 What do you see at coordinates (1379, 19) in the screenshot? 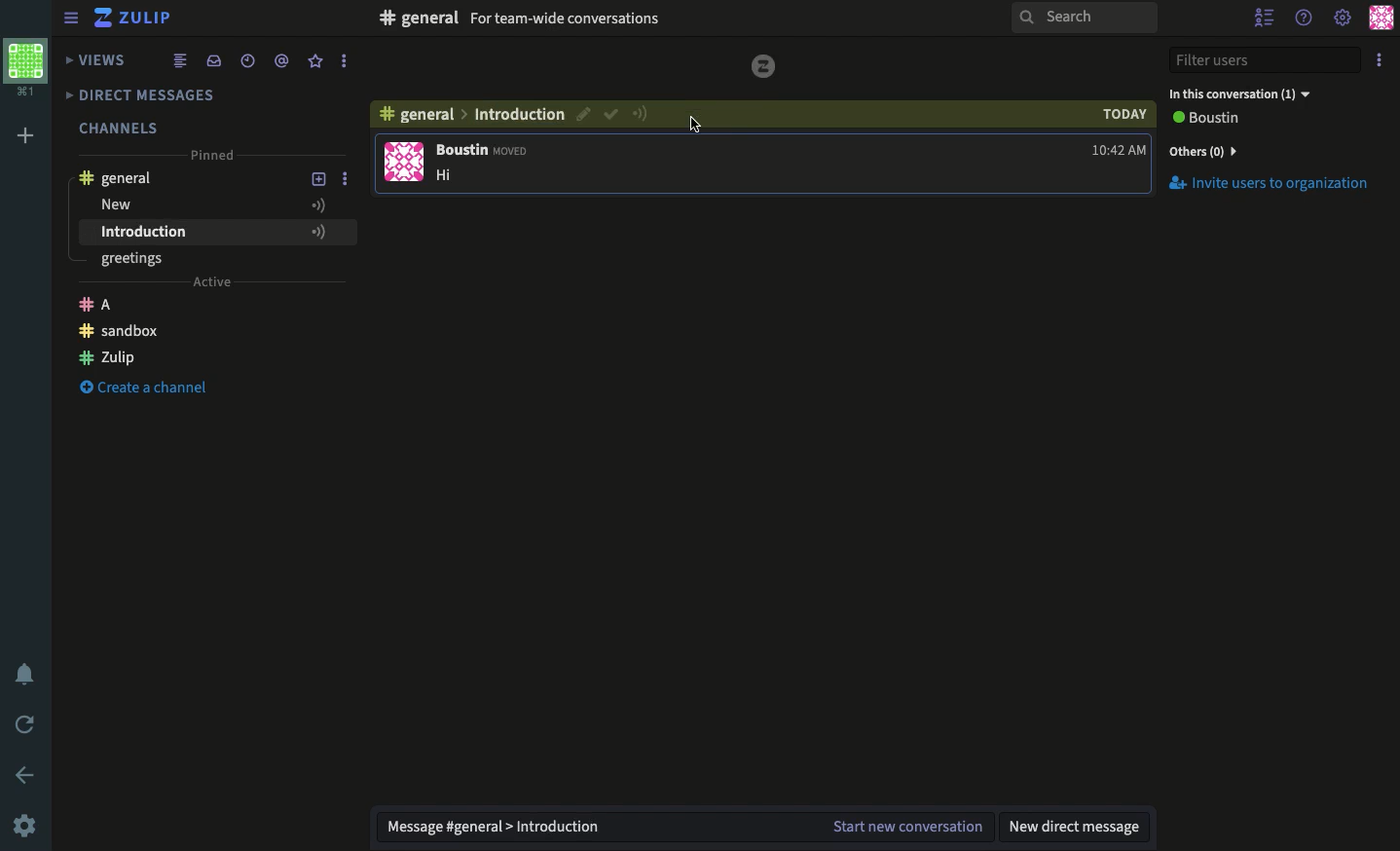
I see `Profile` at bounding box center [1379, 19].